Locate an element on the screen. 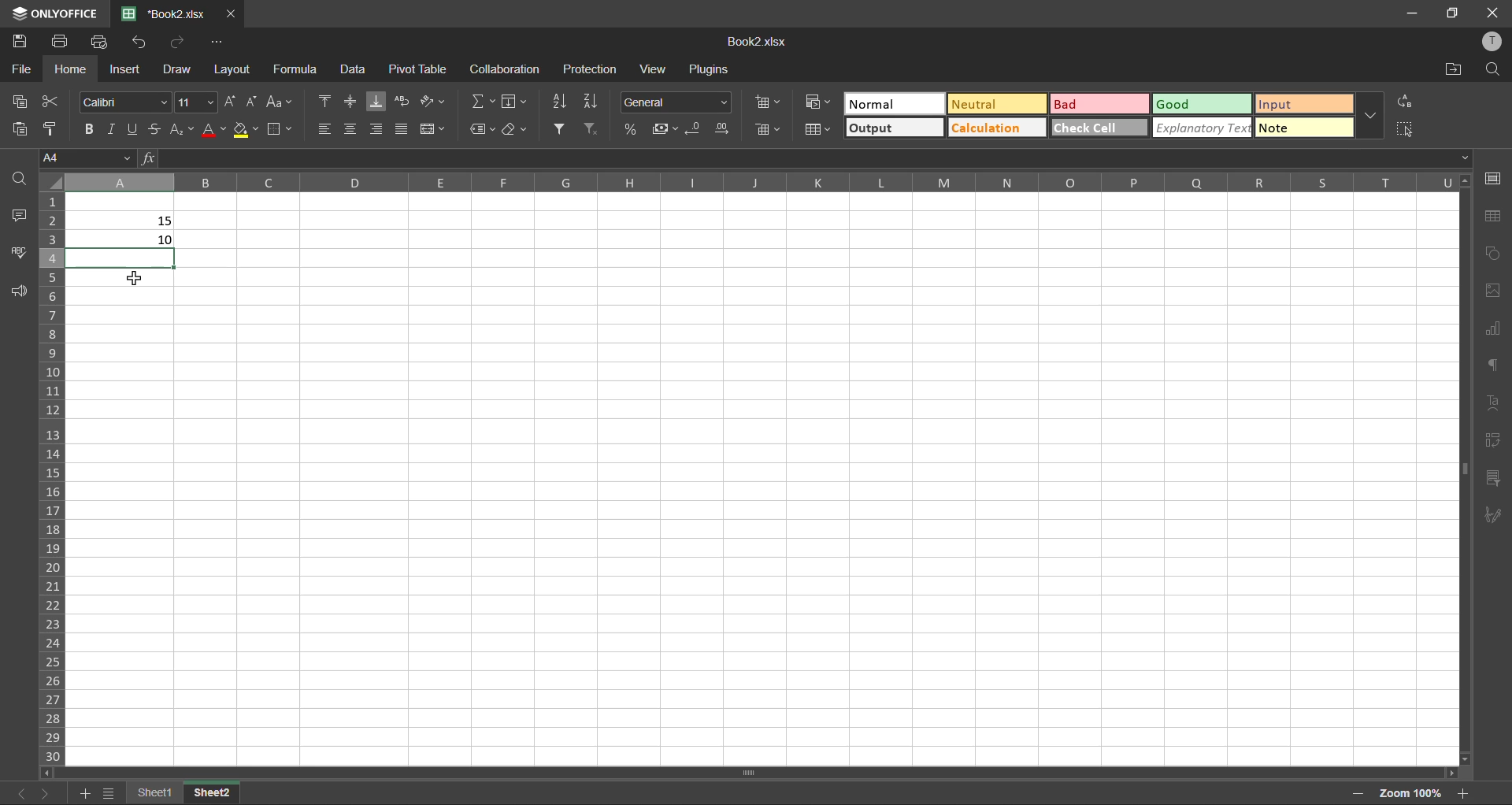 This screenshot has width=1512, height=805. comments is located at coordinates (22, 216).